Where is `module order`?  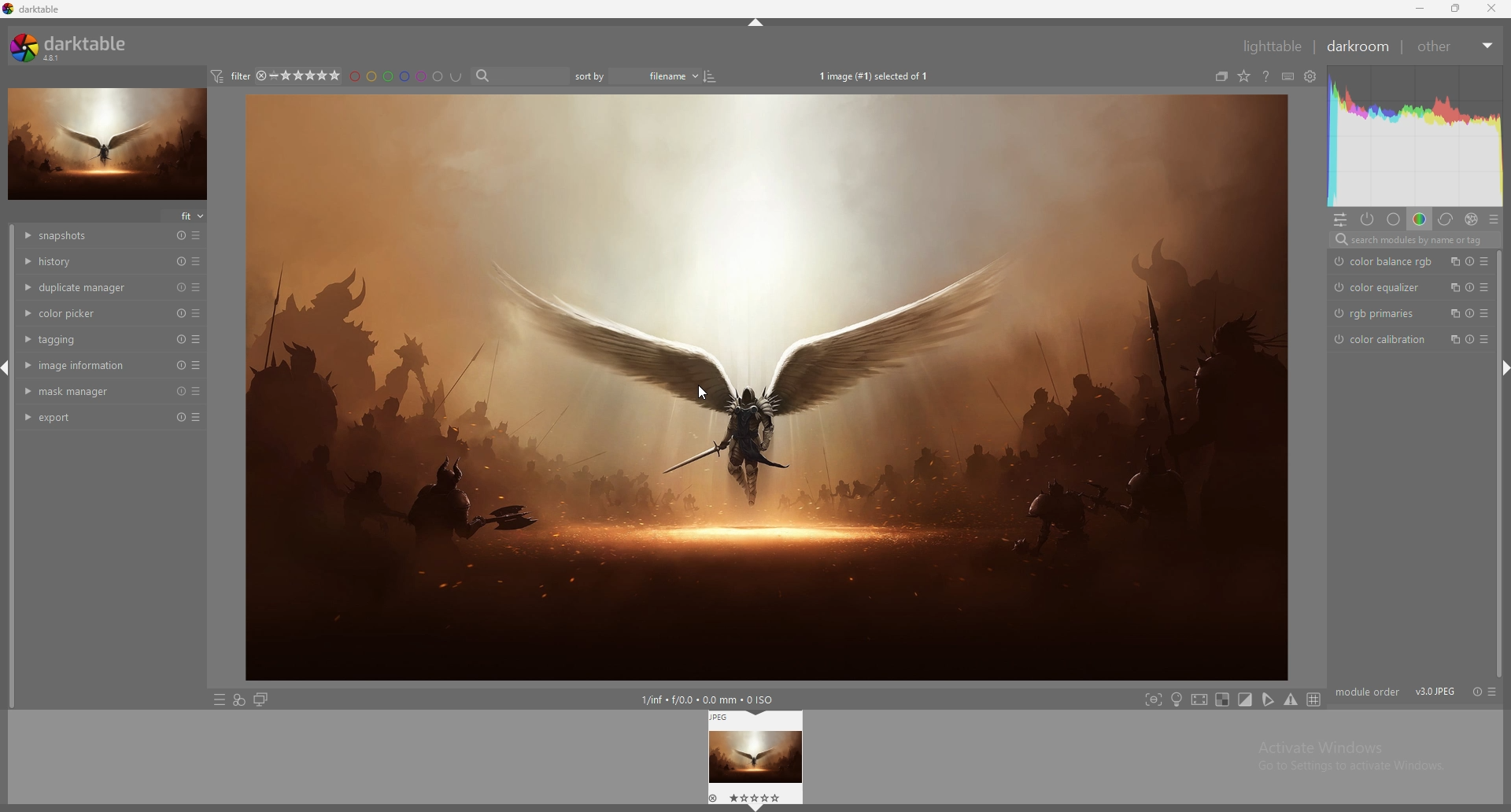
module order is located at coordinates (1369, 690).